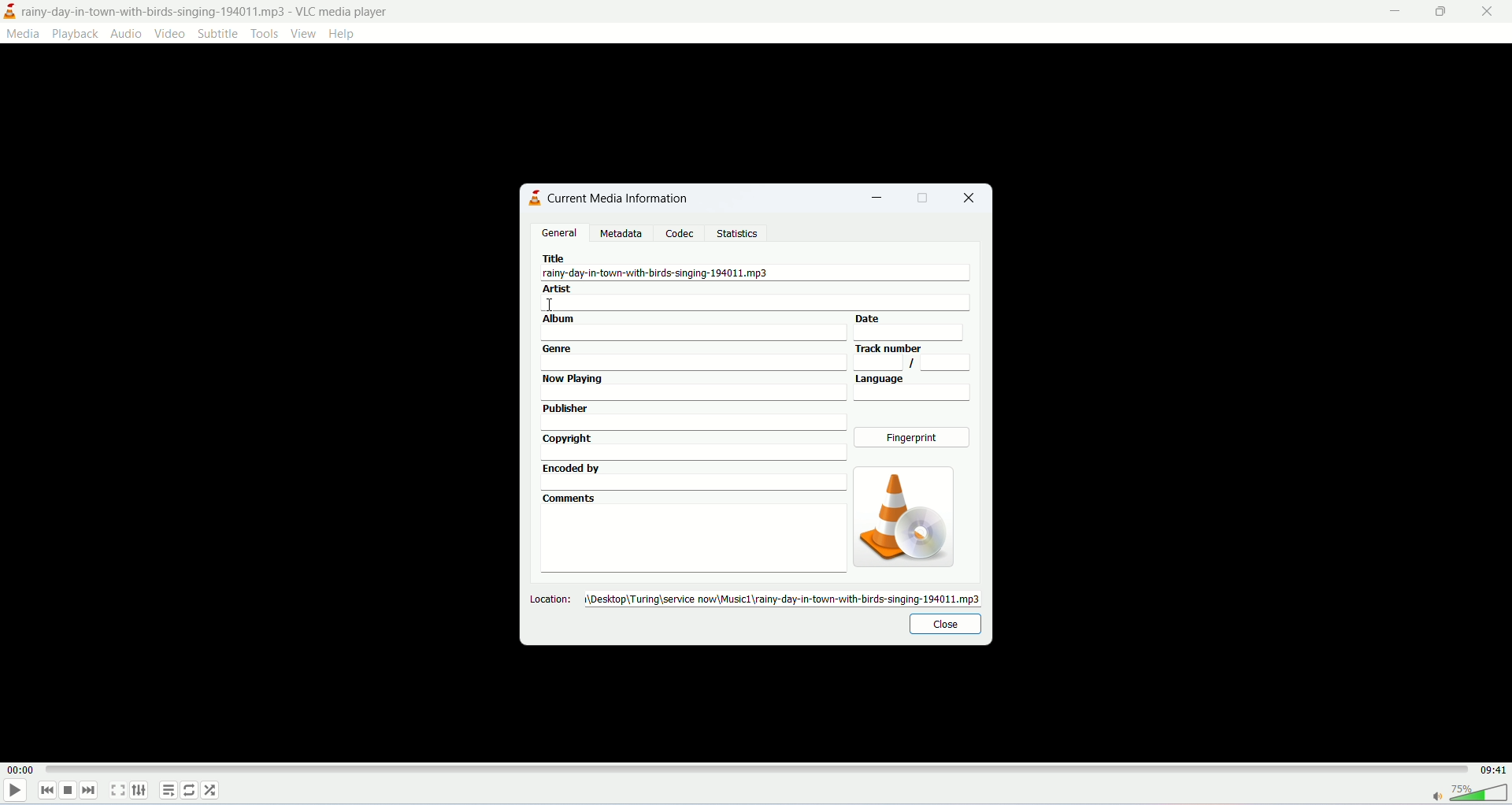  Describe the element at coordinates (214, 790) in the screenshot. I see `shuffle` at that location.